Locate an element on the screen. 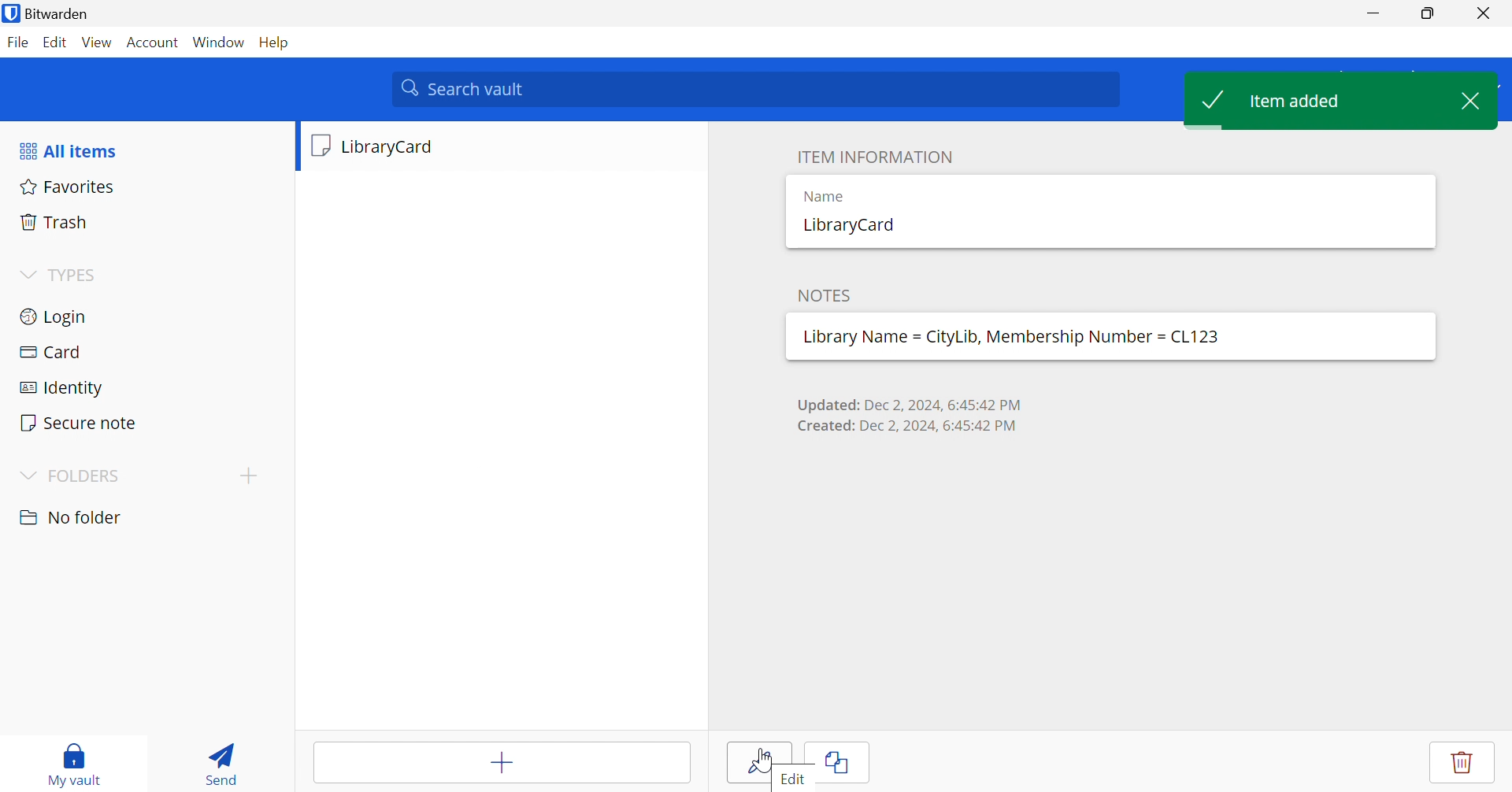 The height and width of the screenshot is (792, 1512). Edit is located at coordinates (796, 779).